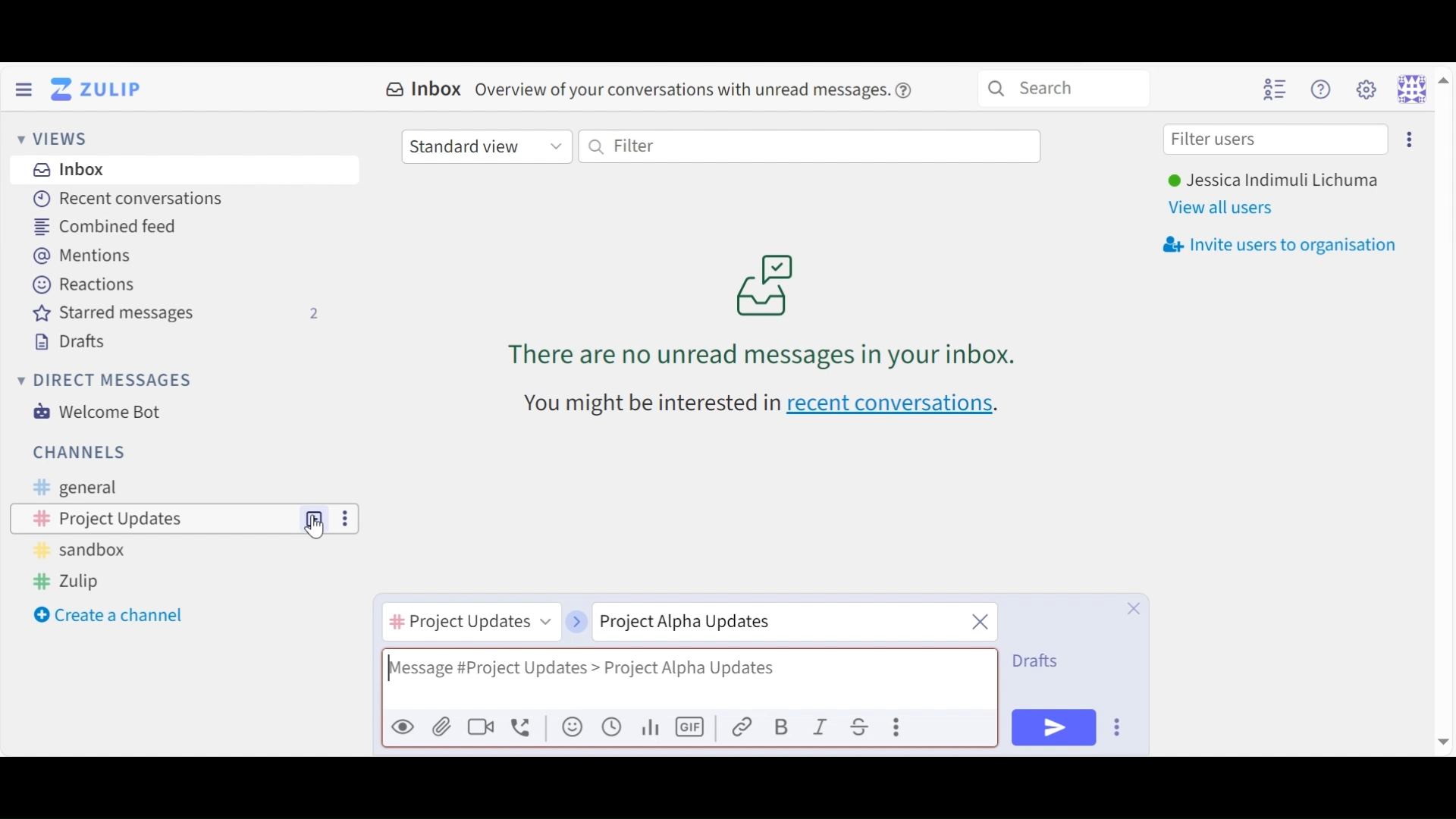 The height and width of the screenshot is (819, 1456). What do you see at coordinates (908, 90) in the screenshot?
I see `help` at bounding box center [908, 90].